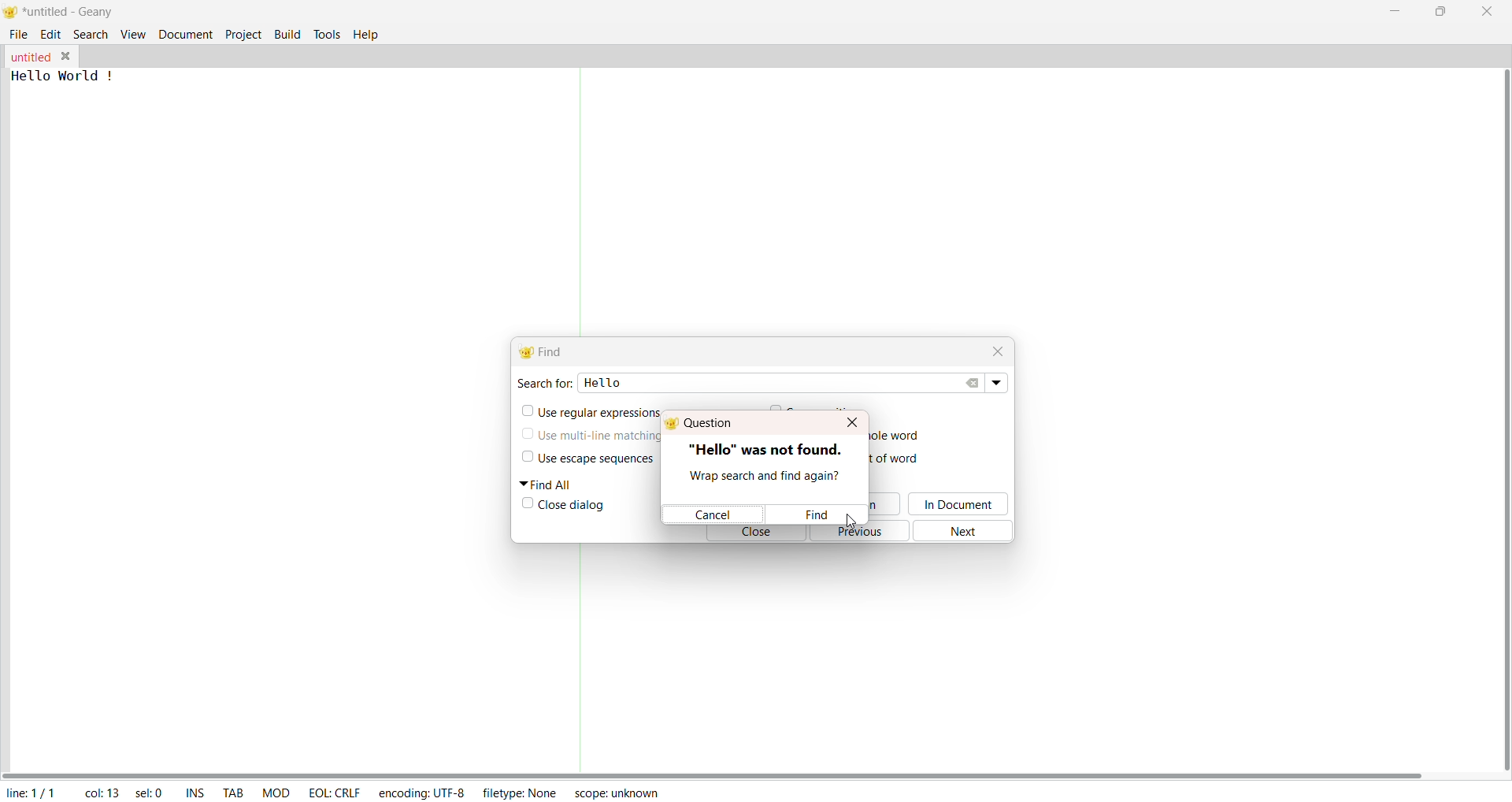  What do you see at coordinates (769, 449) in the screenshot?
I see `Hello was not found` at bounding box center [769, 449].